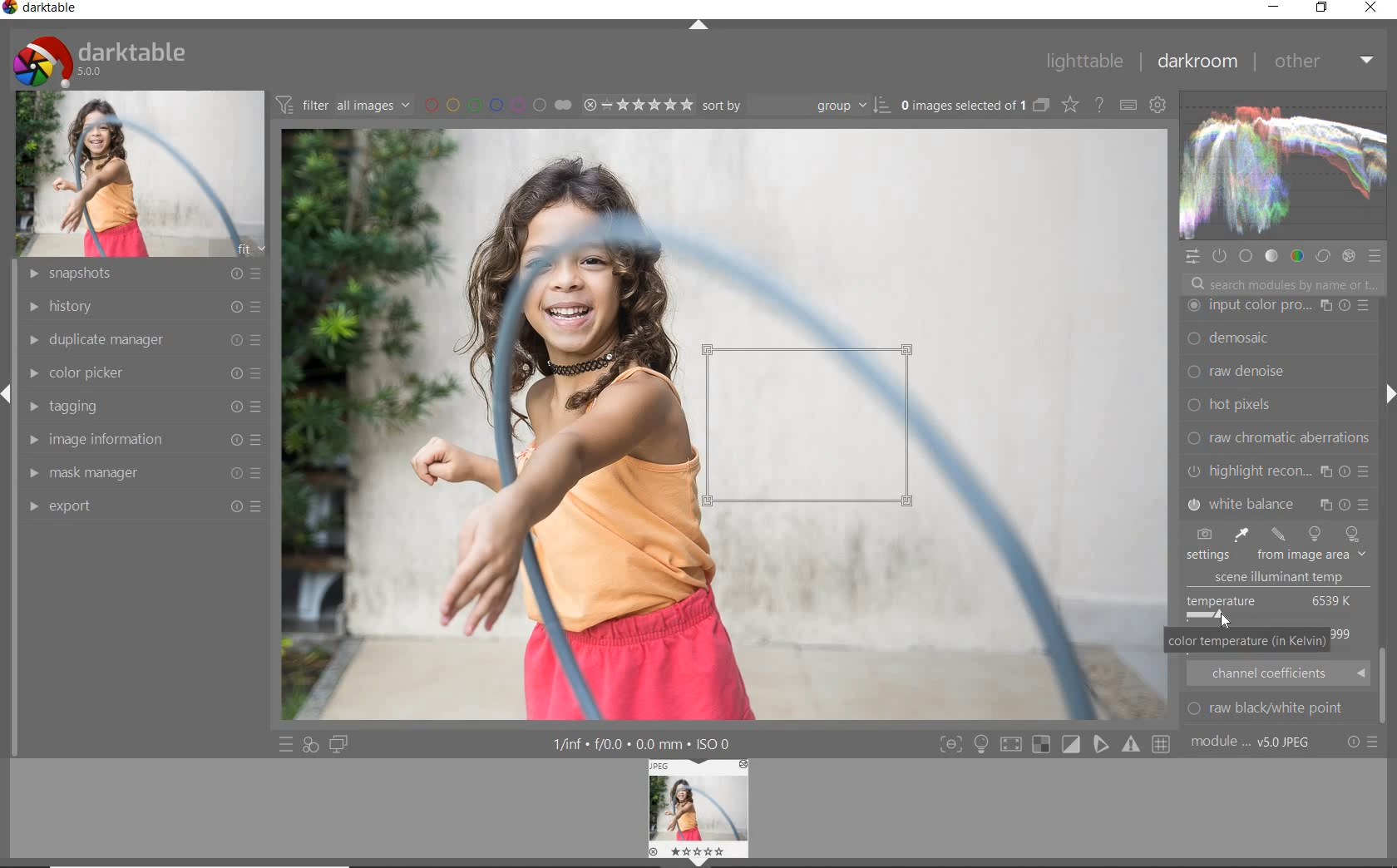  I want to click on watermark, so click(1277, 306).